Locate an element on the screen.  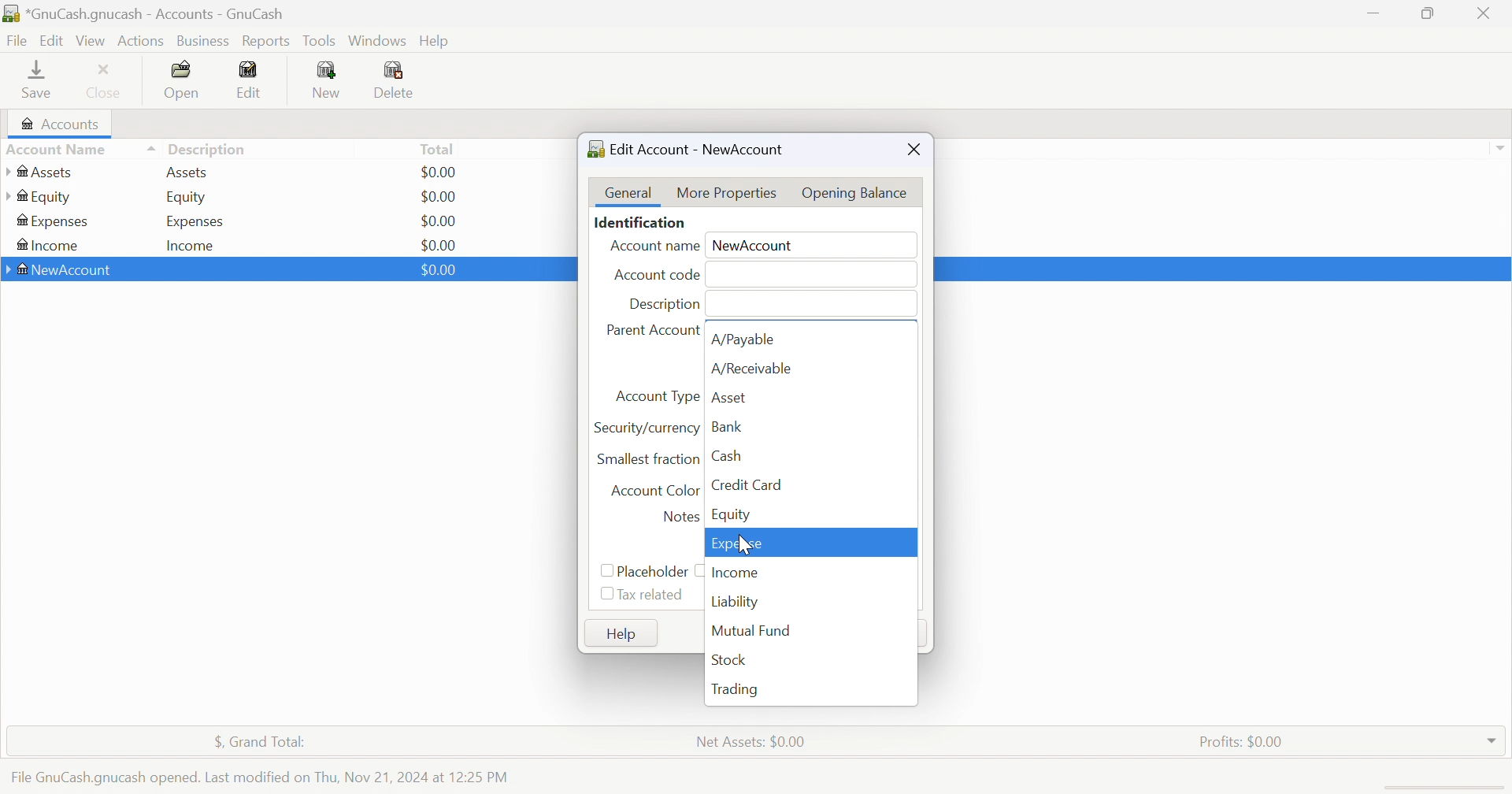
Tax related is located at coordinates (654, 595).